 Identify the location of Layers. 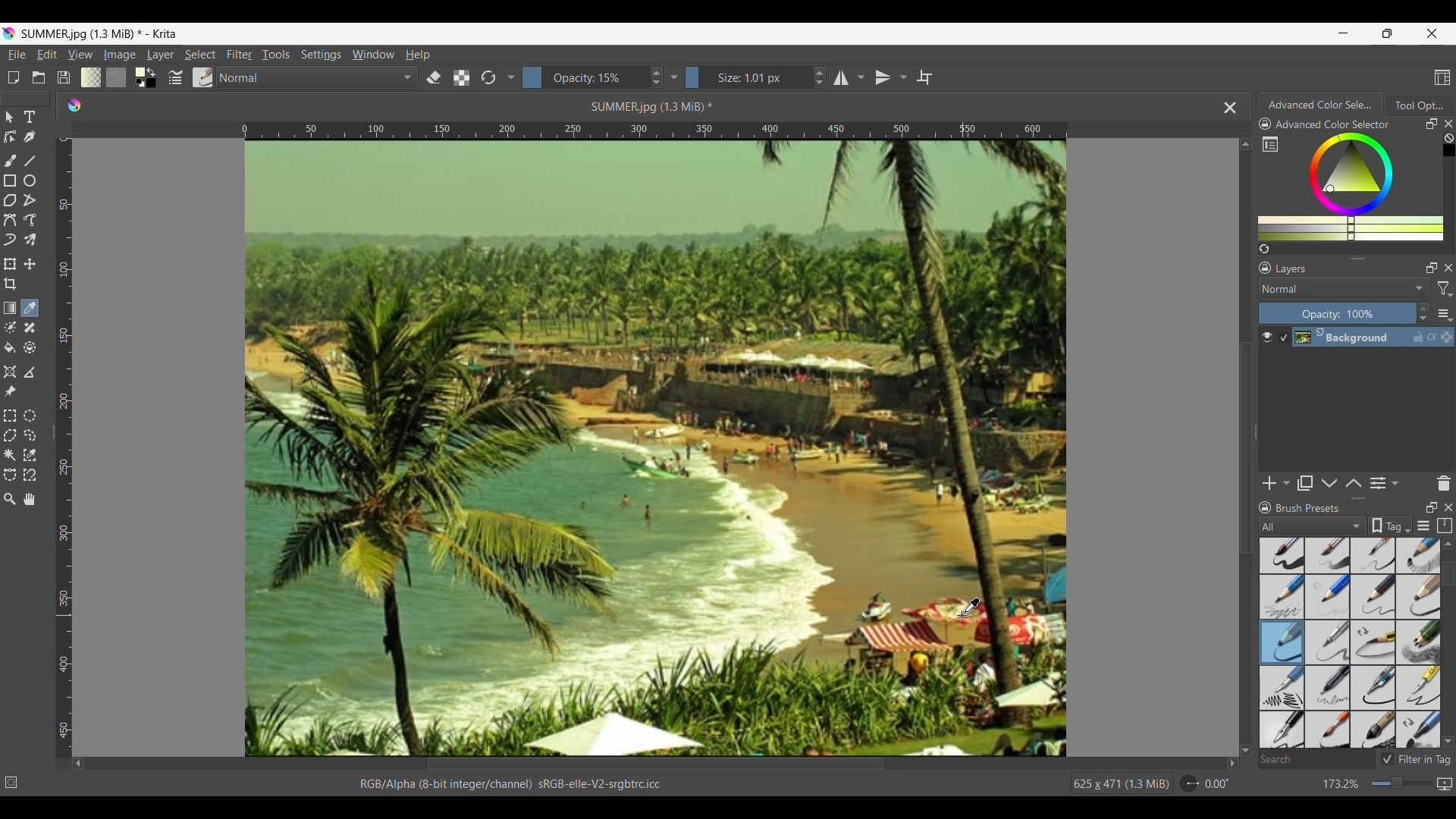
(1292, 269).